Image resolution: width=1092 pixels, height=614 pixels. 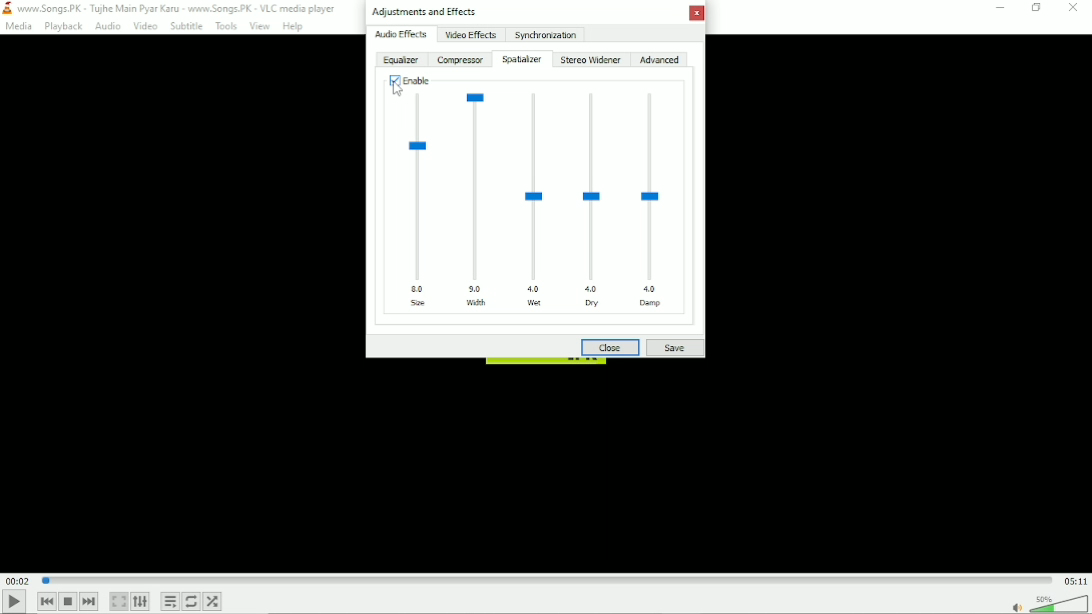 What do you see at coordinates (1075, 580) in the screenshot?
I see `Total duration` at bounding box center [1075, 580].